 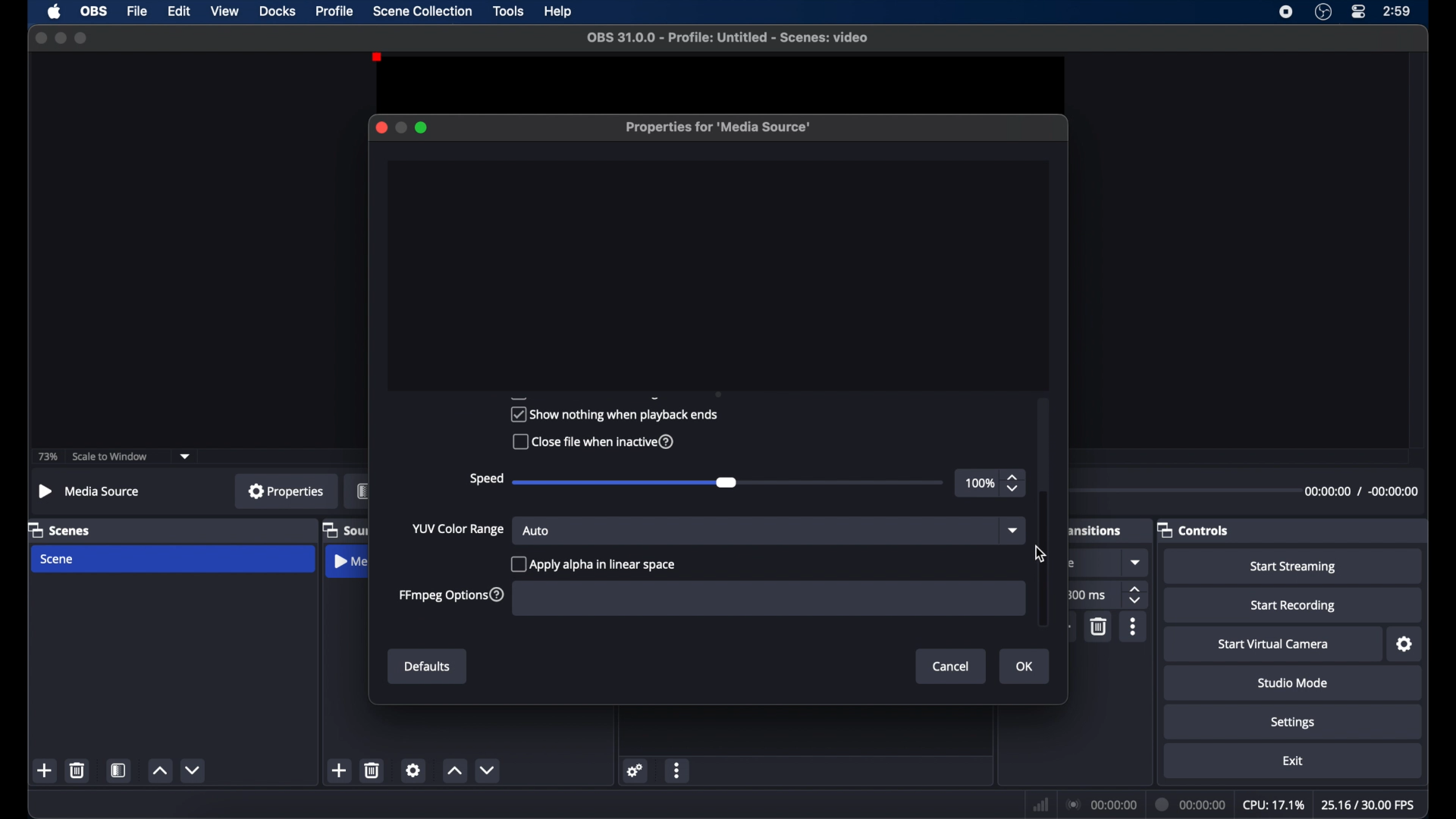 What do you see at coordinates (340, 770) in the screenshot?
I see `add` at bounding box center [340, 770].